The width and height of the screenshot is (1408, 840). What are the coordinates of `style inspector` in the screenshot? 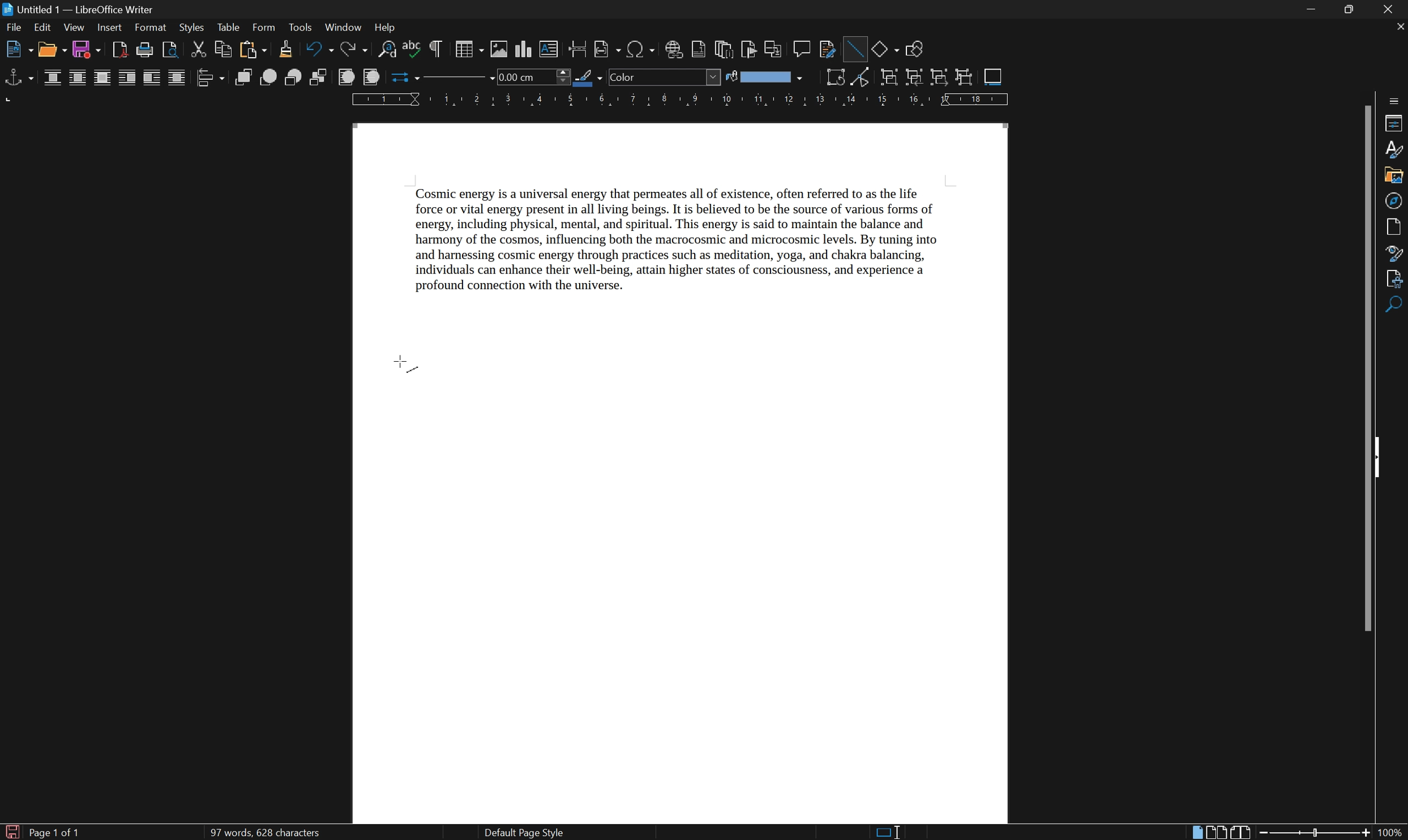 It's located at (1395, 252).